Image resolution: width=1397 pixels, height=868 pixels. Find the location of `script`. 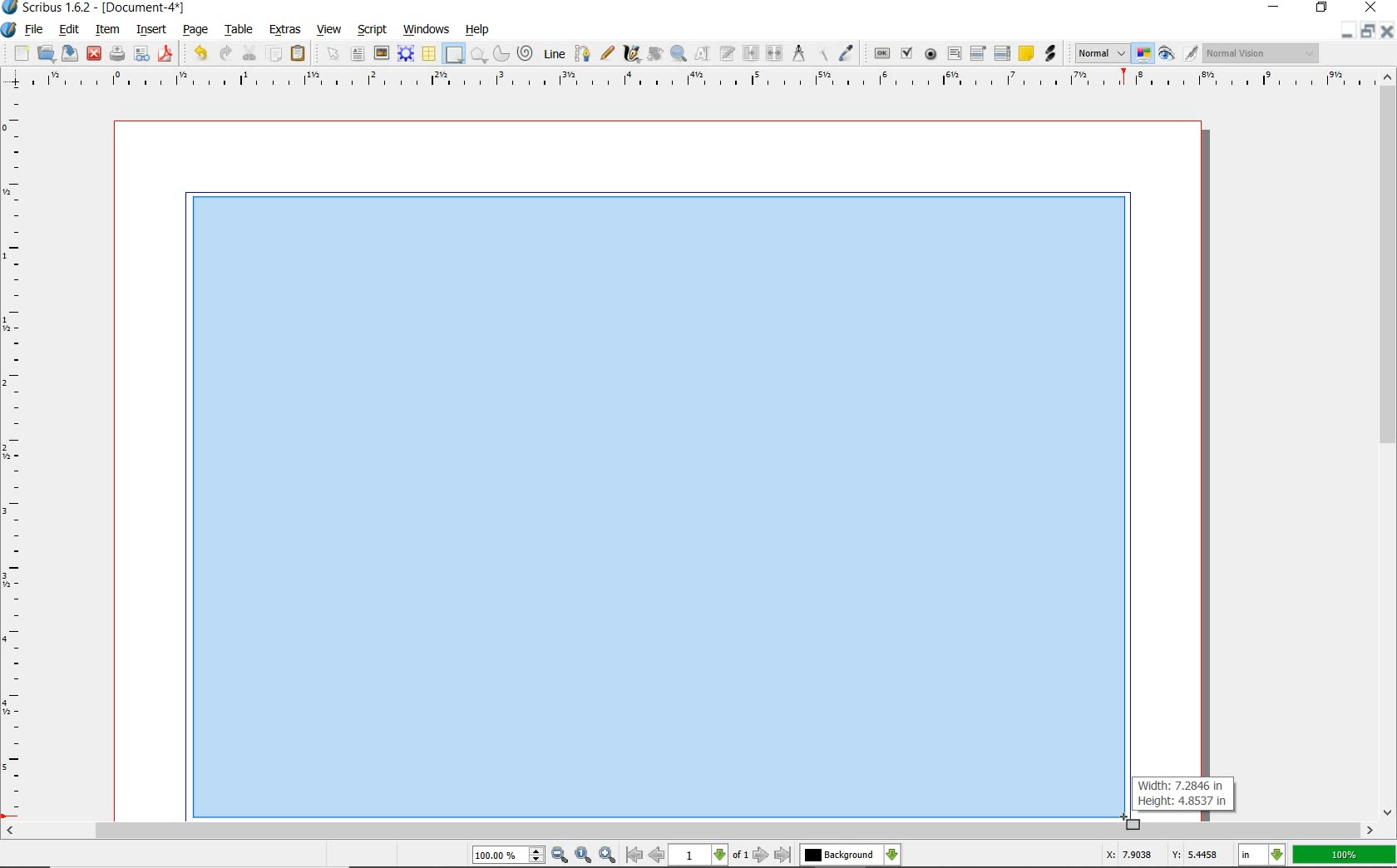

script is located at coordinates (374, 30).